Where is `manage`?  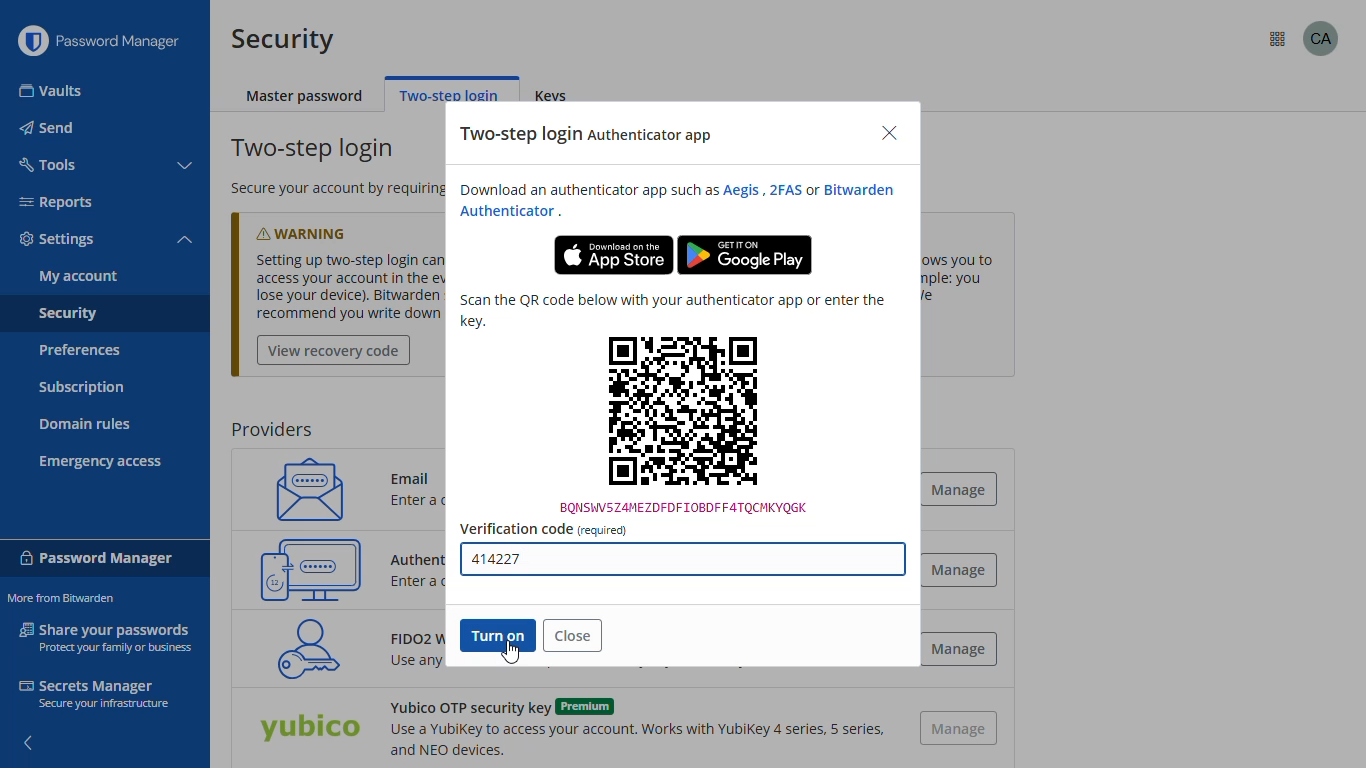
manage is located at coordinates (958, 649).